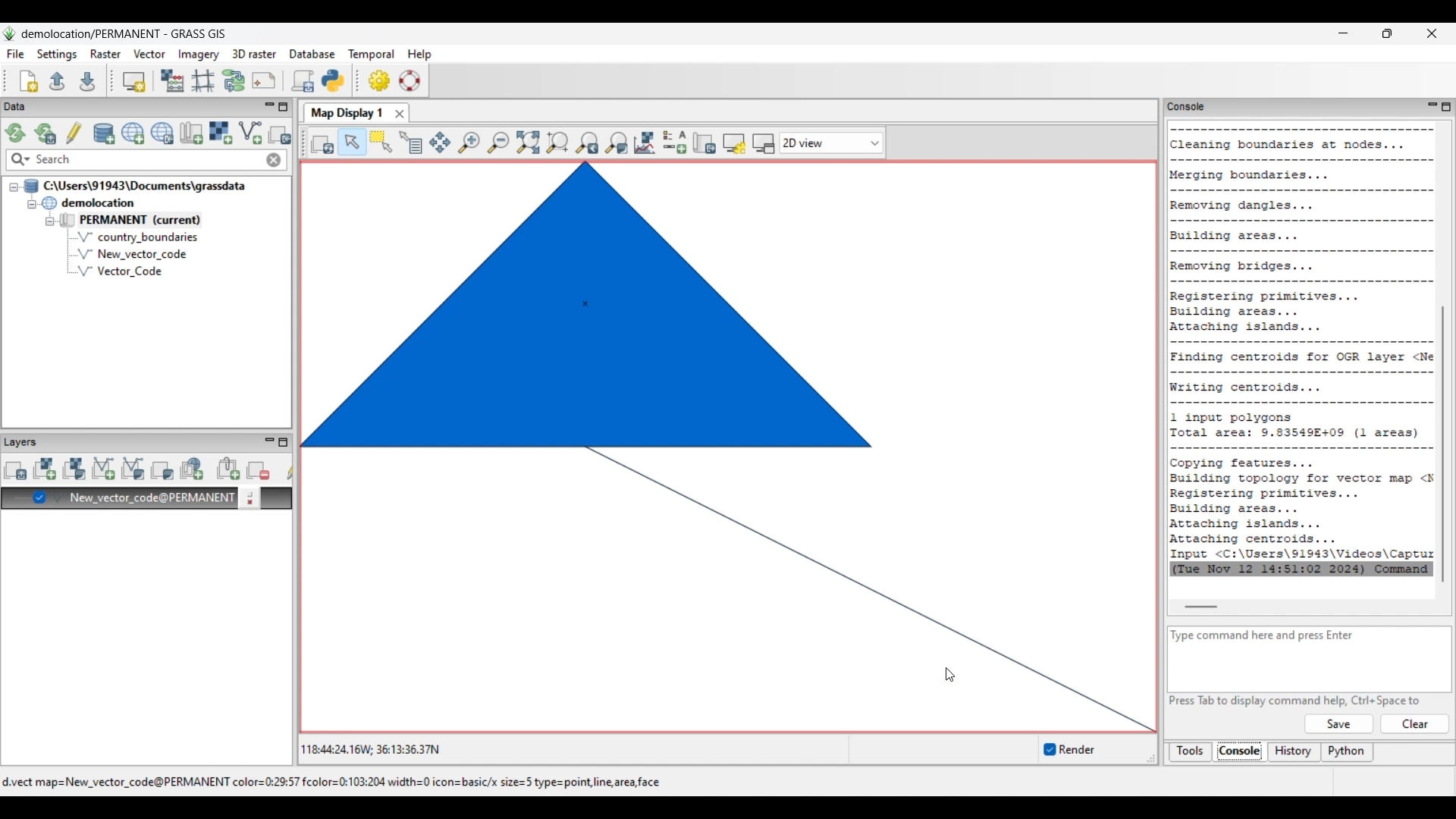 Image resolution: width=1456 pixels, height=819 pixels. I want to click on Double click to collapse file thread, so click(135, 186).